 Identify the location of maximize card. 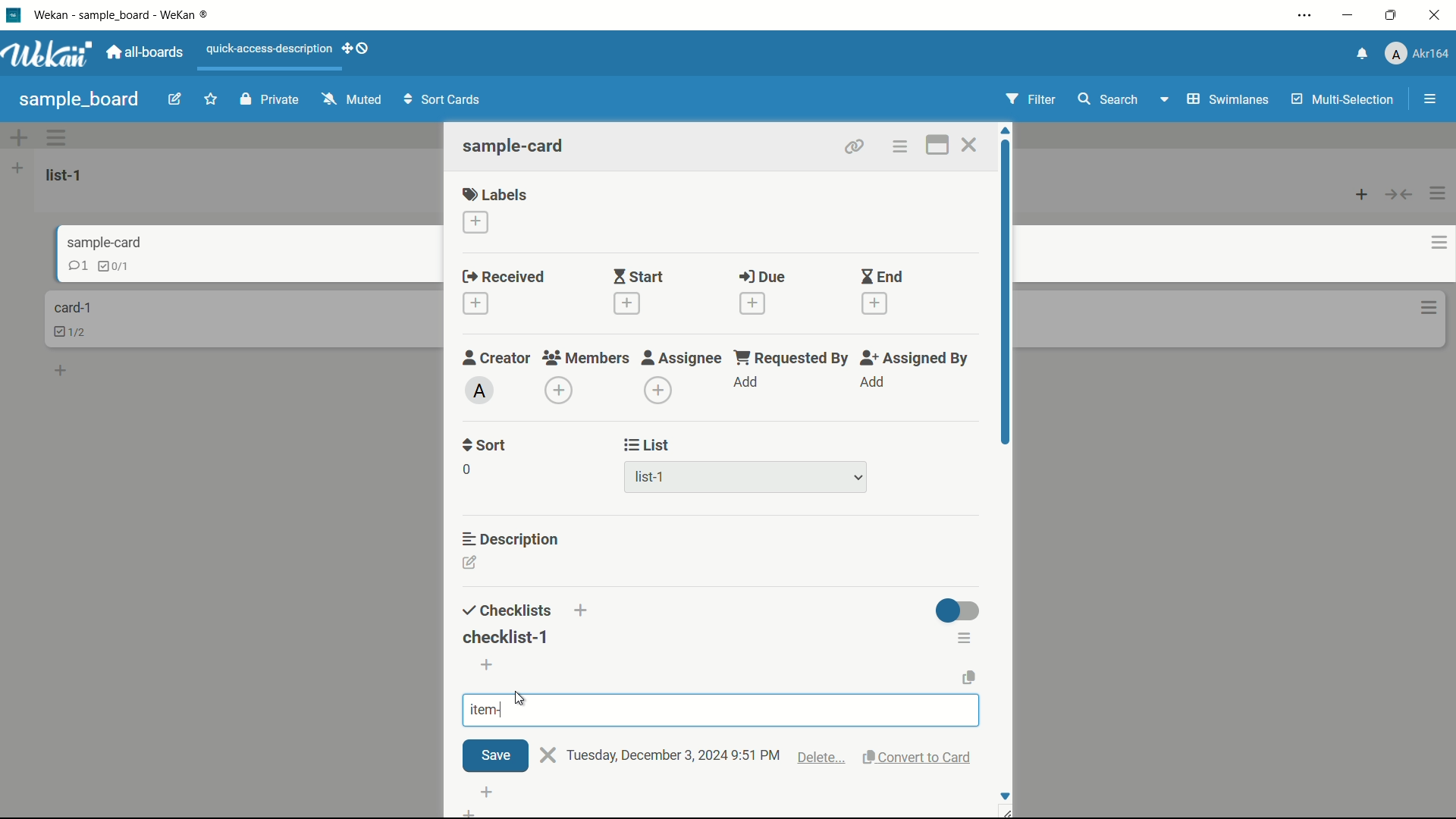
(938, 145).